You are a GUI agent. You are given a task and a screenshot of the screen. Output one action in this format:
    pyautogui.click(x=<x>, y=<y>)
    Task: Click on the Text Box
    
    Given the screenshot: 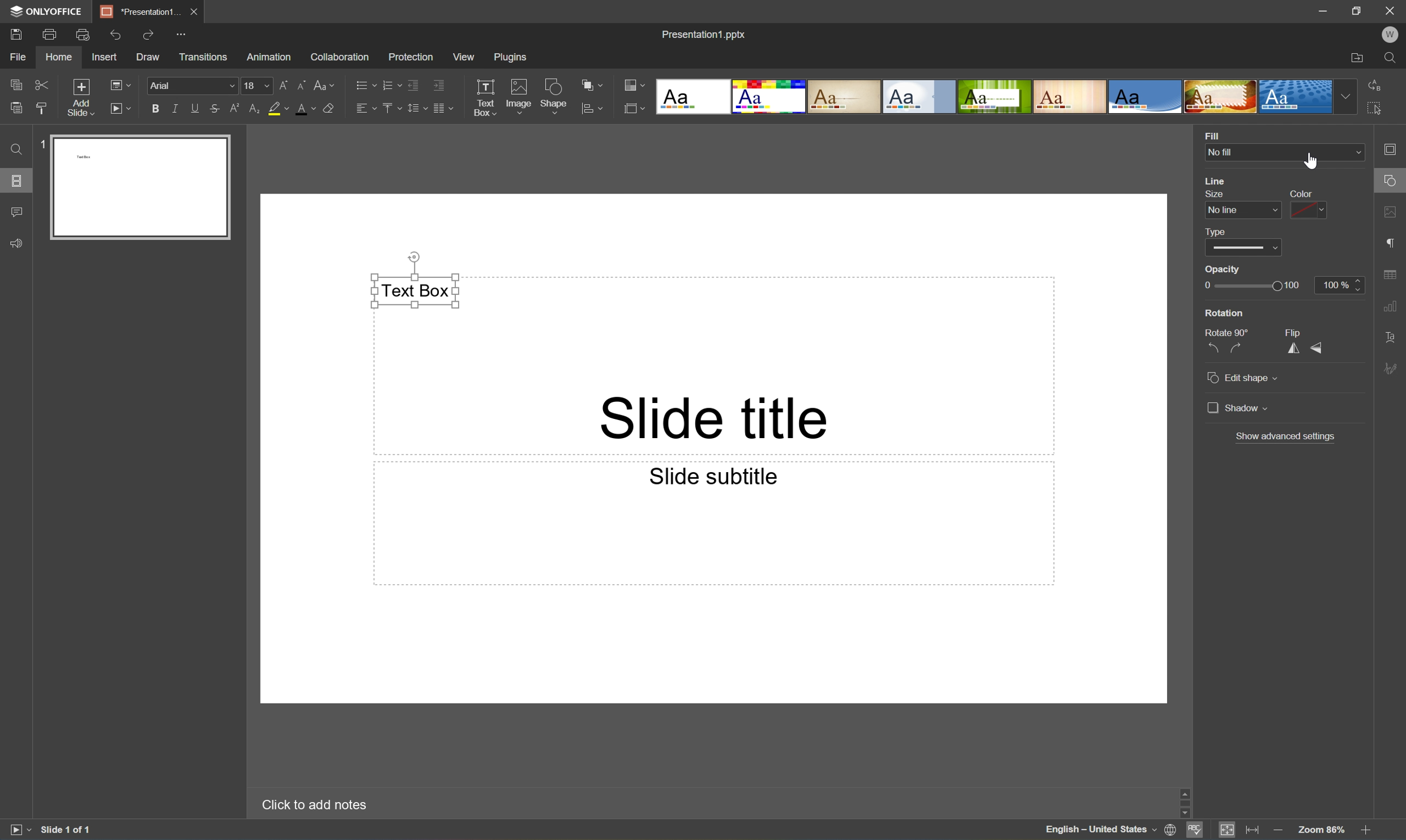 What is the action you would take?
    pyautogui.click(x=482, y=97)
    